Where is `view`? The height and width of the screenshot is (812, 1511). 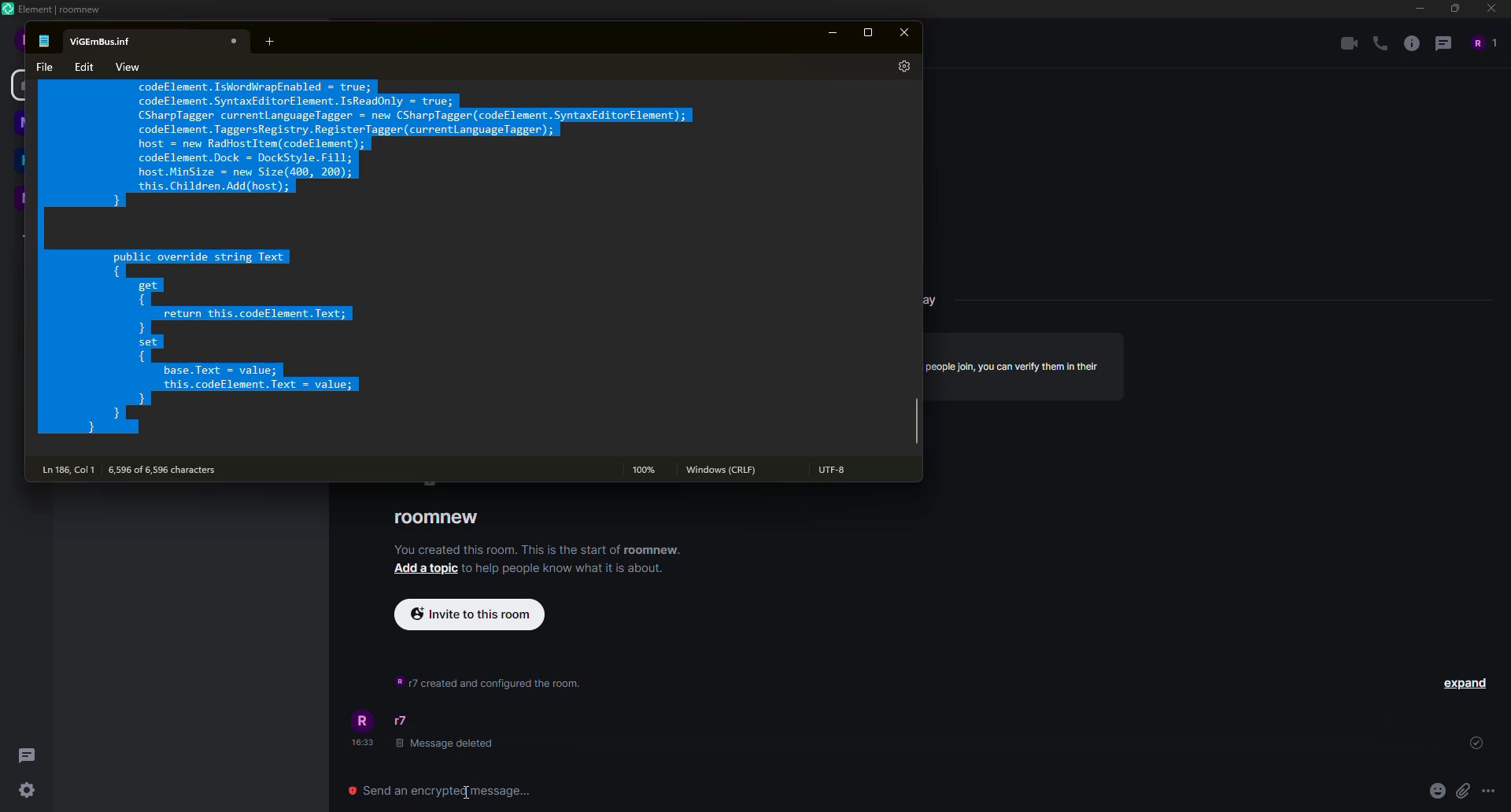
view is located at coordinates (129, 65).